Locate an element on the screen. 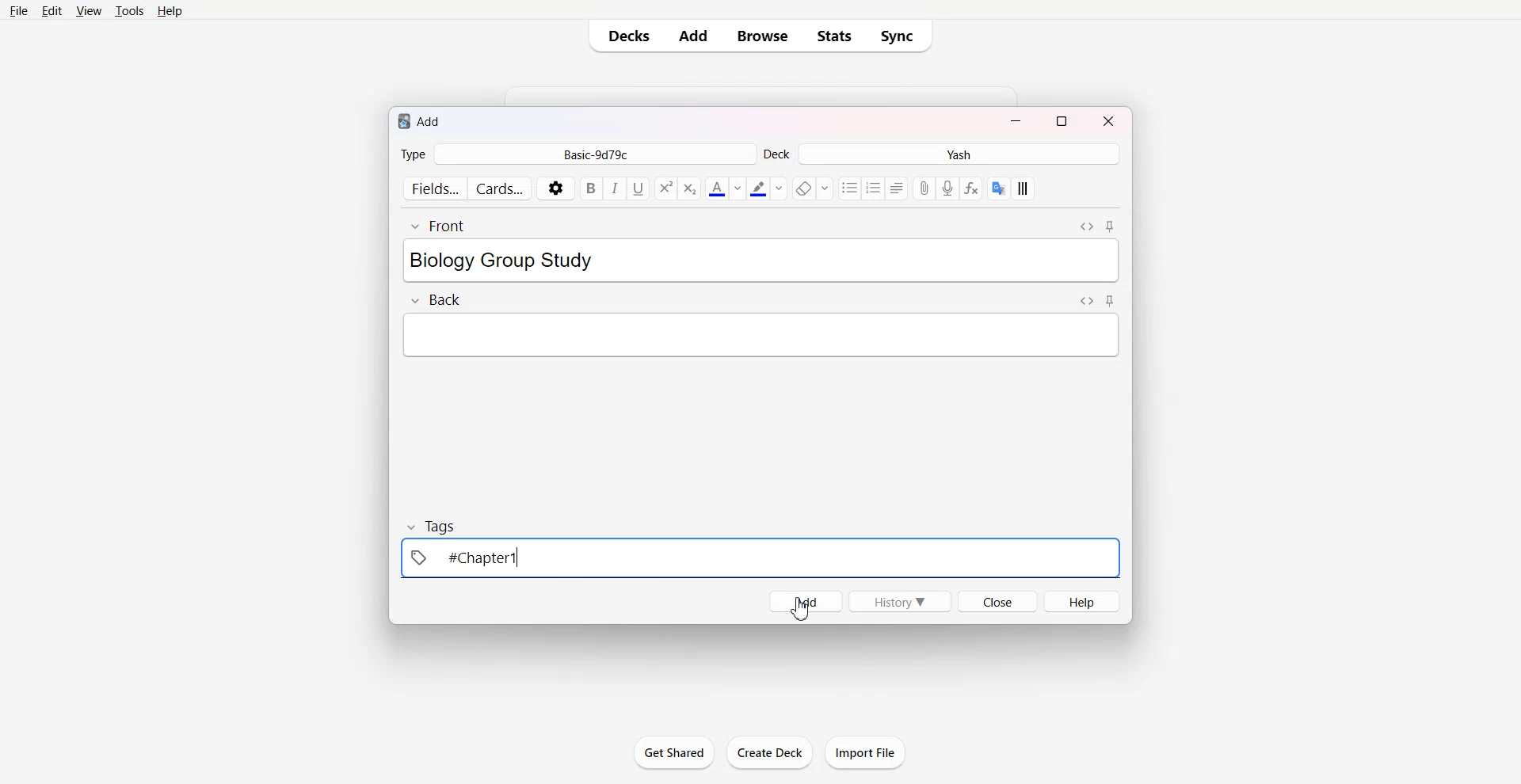 Image resolution: width=1521 pixels, height=784 pixels. Back is located at coordinates (435, 299).